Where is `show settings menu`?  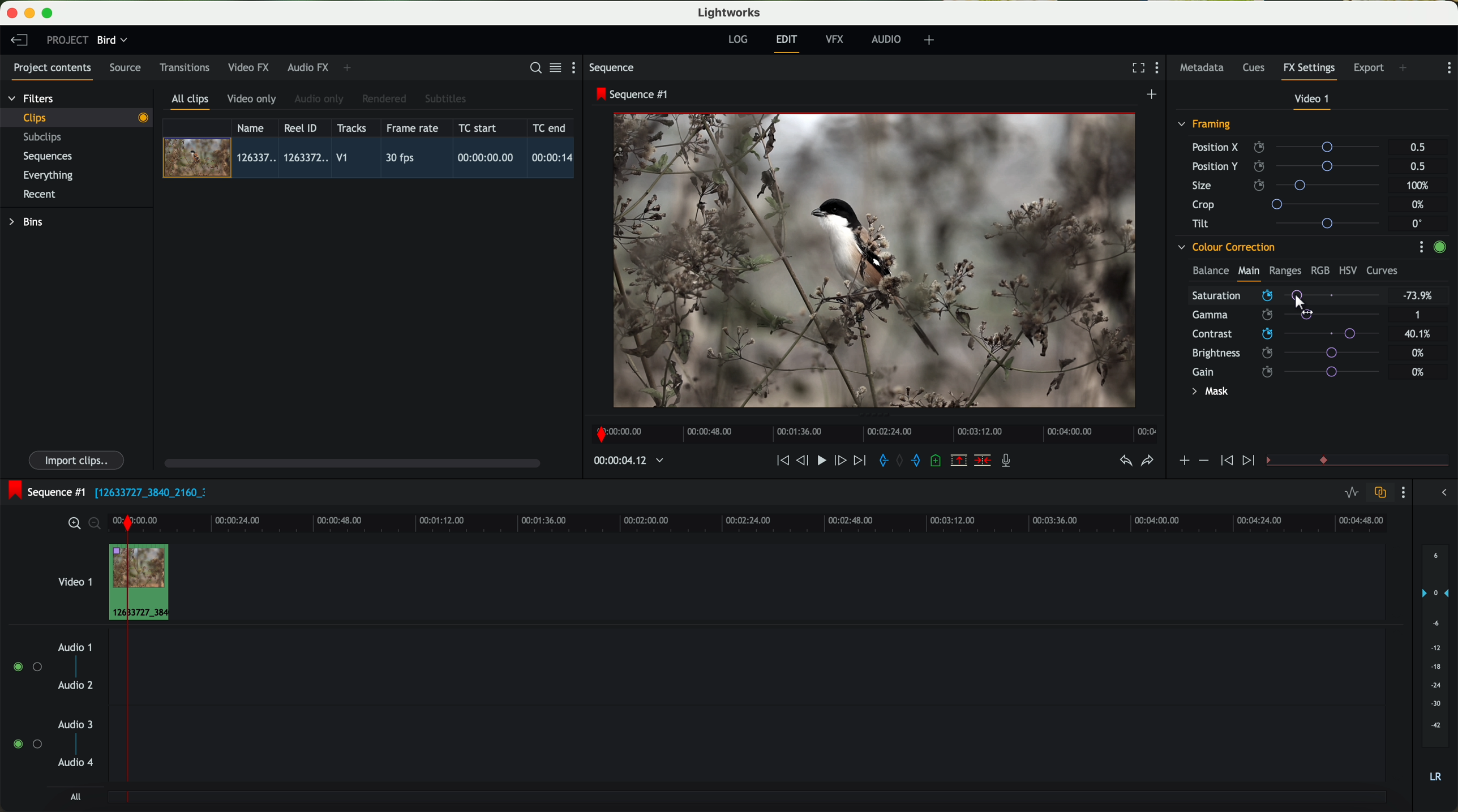
show settings menu is located at coordinates (1160, 69).